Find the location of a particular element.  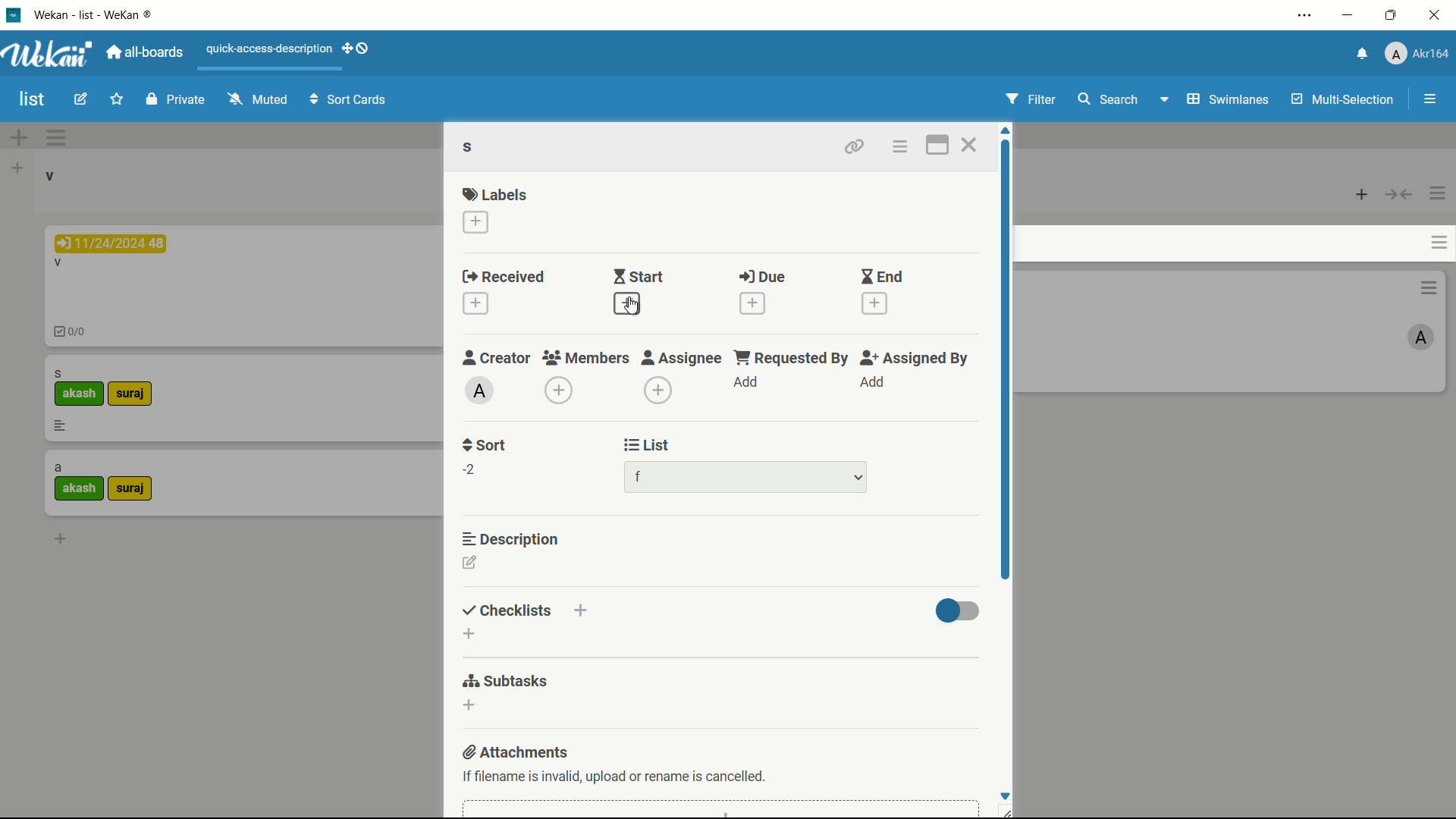

card name is located at coordinates (58, 469).